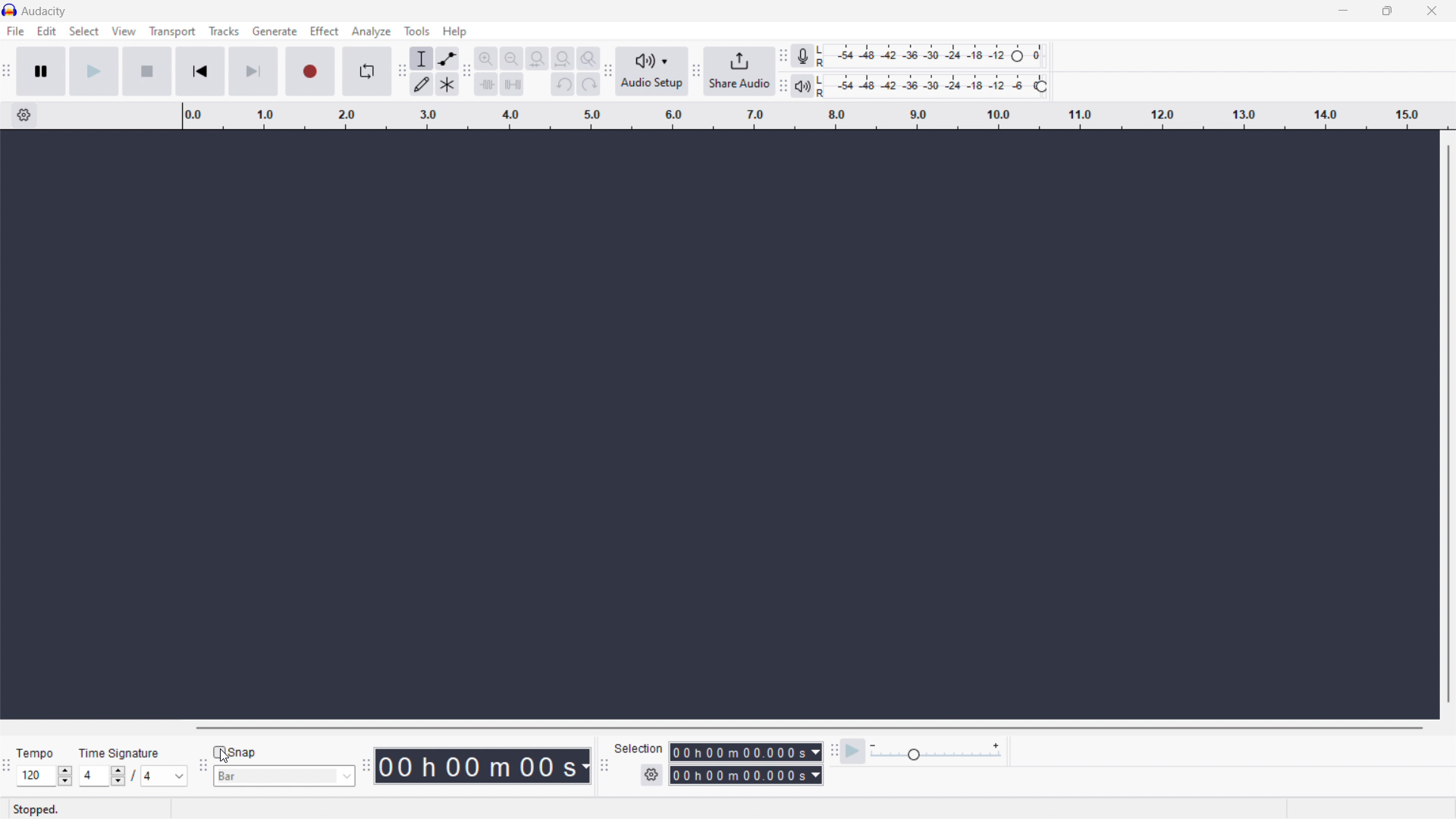 The width and height of the screenshot is (1456, 819). Describe the element at coordinates (284, 776) in the screenshot. I see `set bar` at that location.